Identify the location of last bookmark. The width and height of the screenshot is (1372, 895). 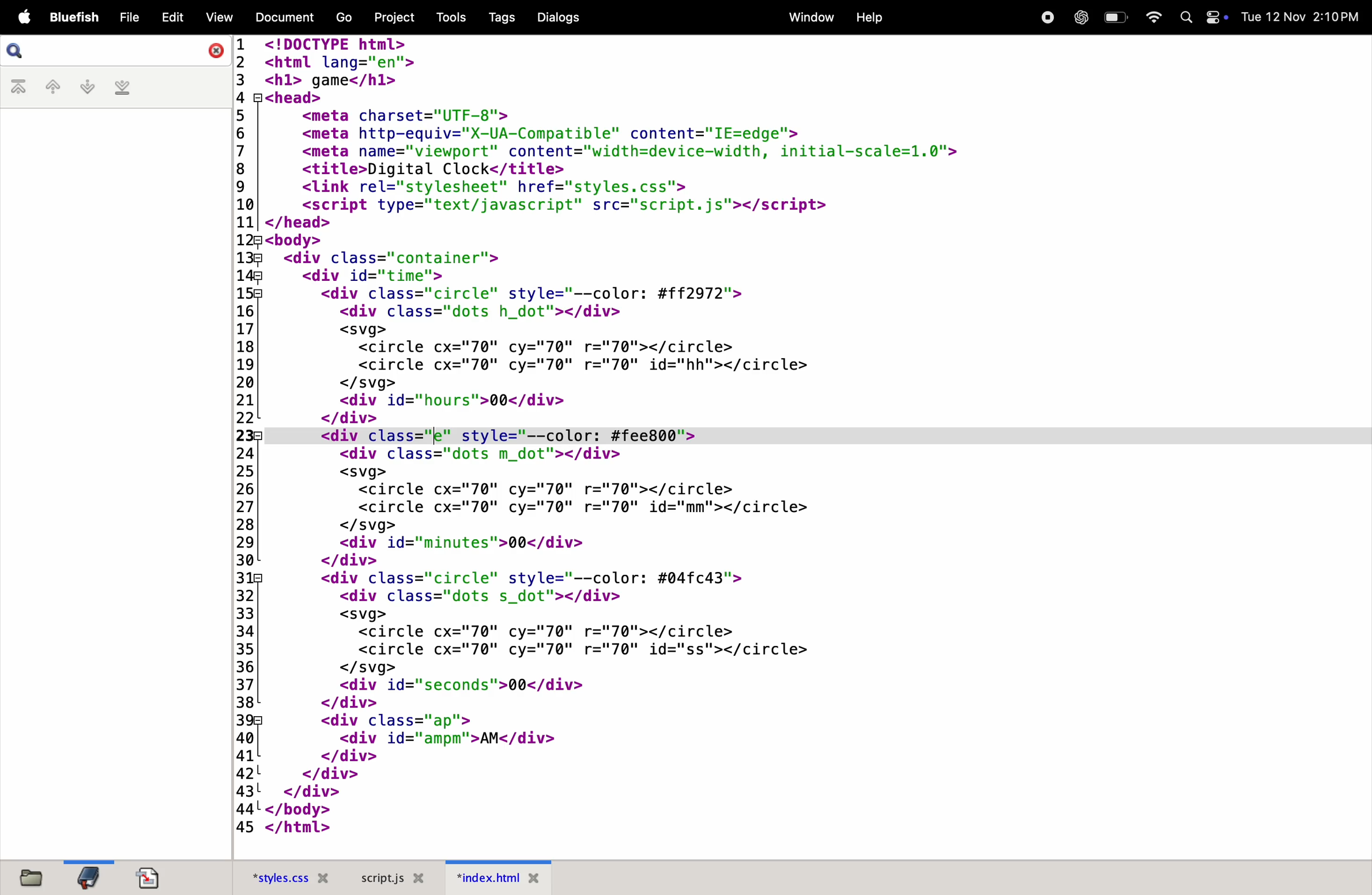
(125, 87).